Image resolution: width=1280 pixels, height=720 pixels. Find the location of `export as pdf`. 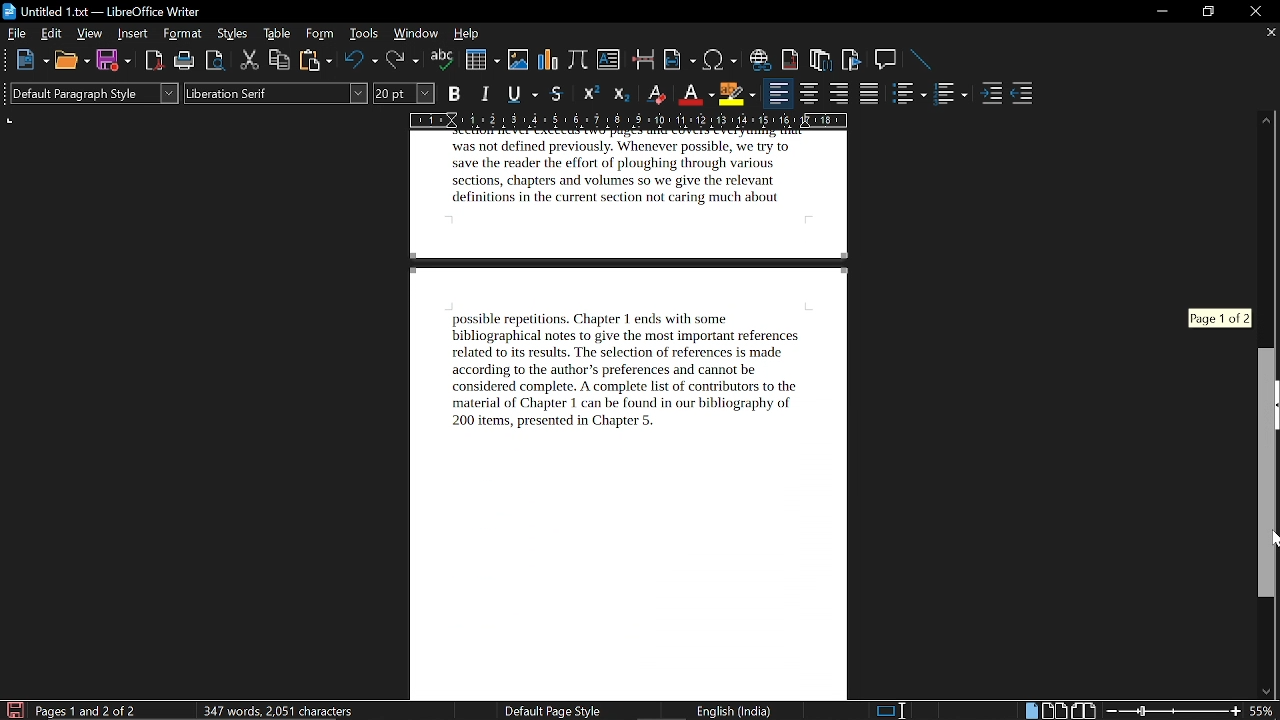

export as pdf is located at coordinates (150, 62).